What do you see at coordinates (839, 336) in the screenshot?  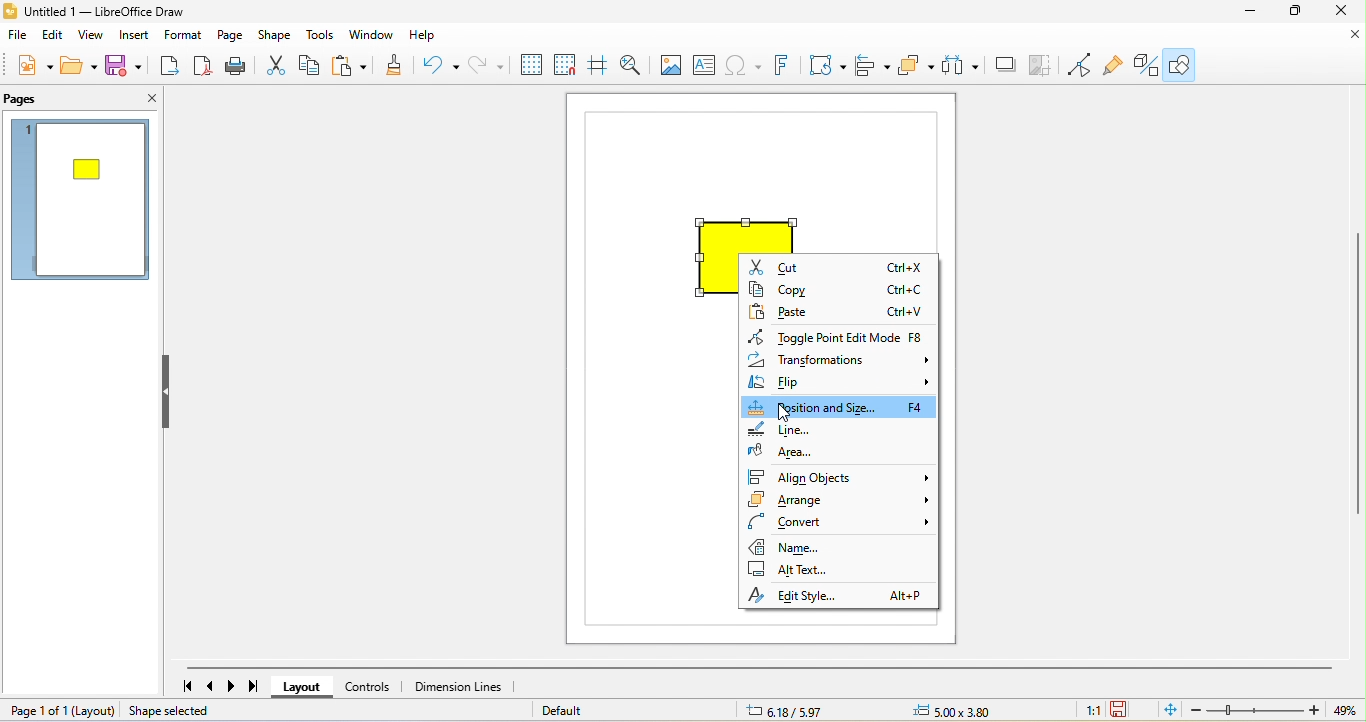 I see `toggle point edit mode` at bounding box center [839, 336].